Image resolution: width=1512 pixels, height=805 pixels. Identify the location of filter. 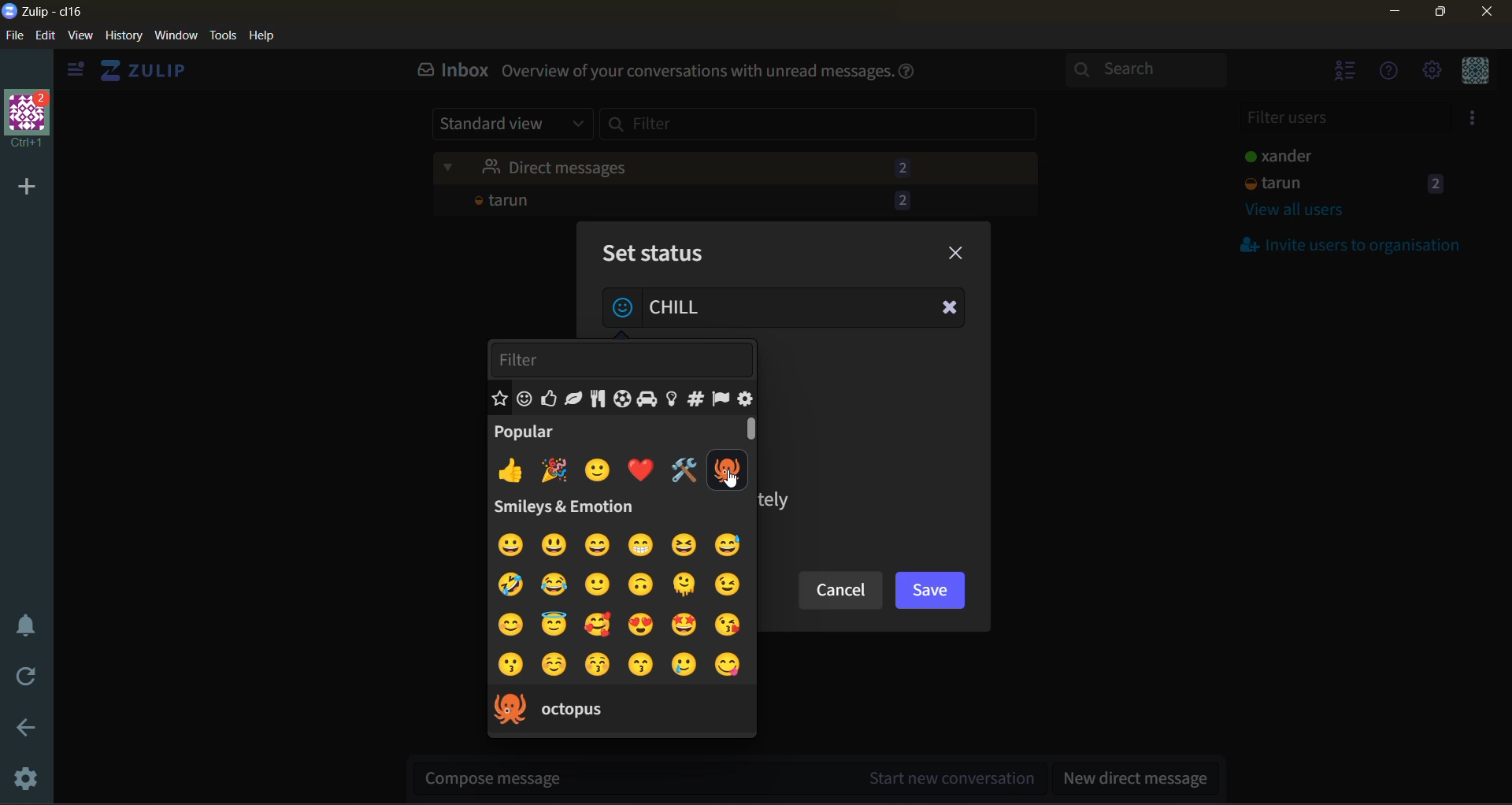
(830, 128).